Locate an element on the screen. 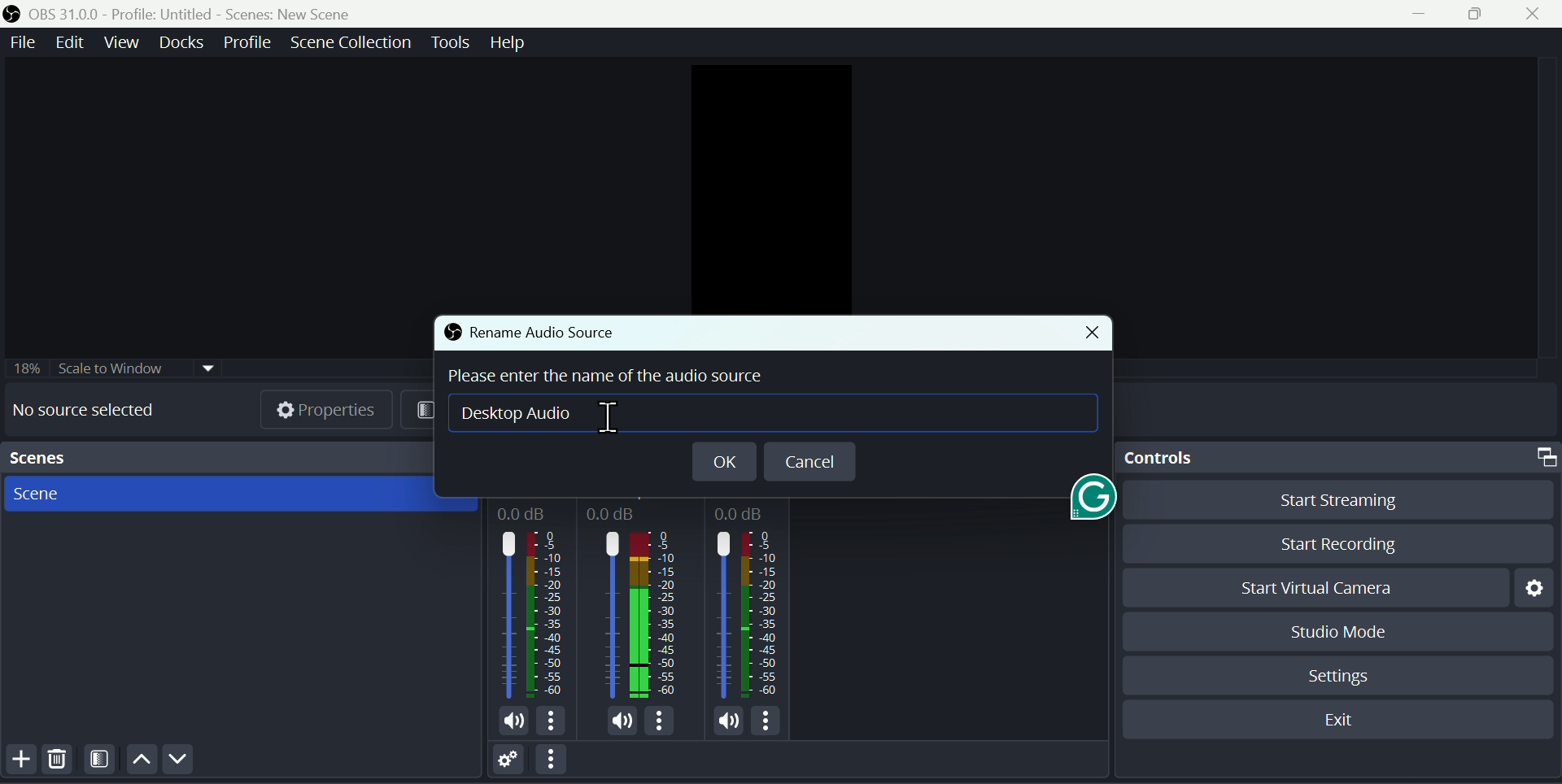  Down is located at coordinates (184, 760).